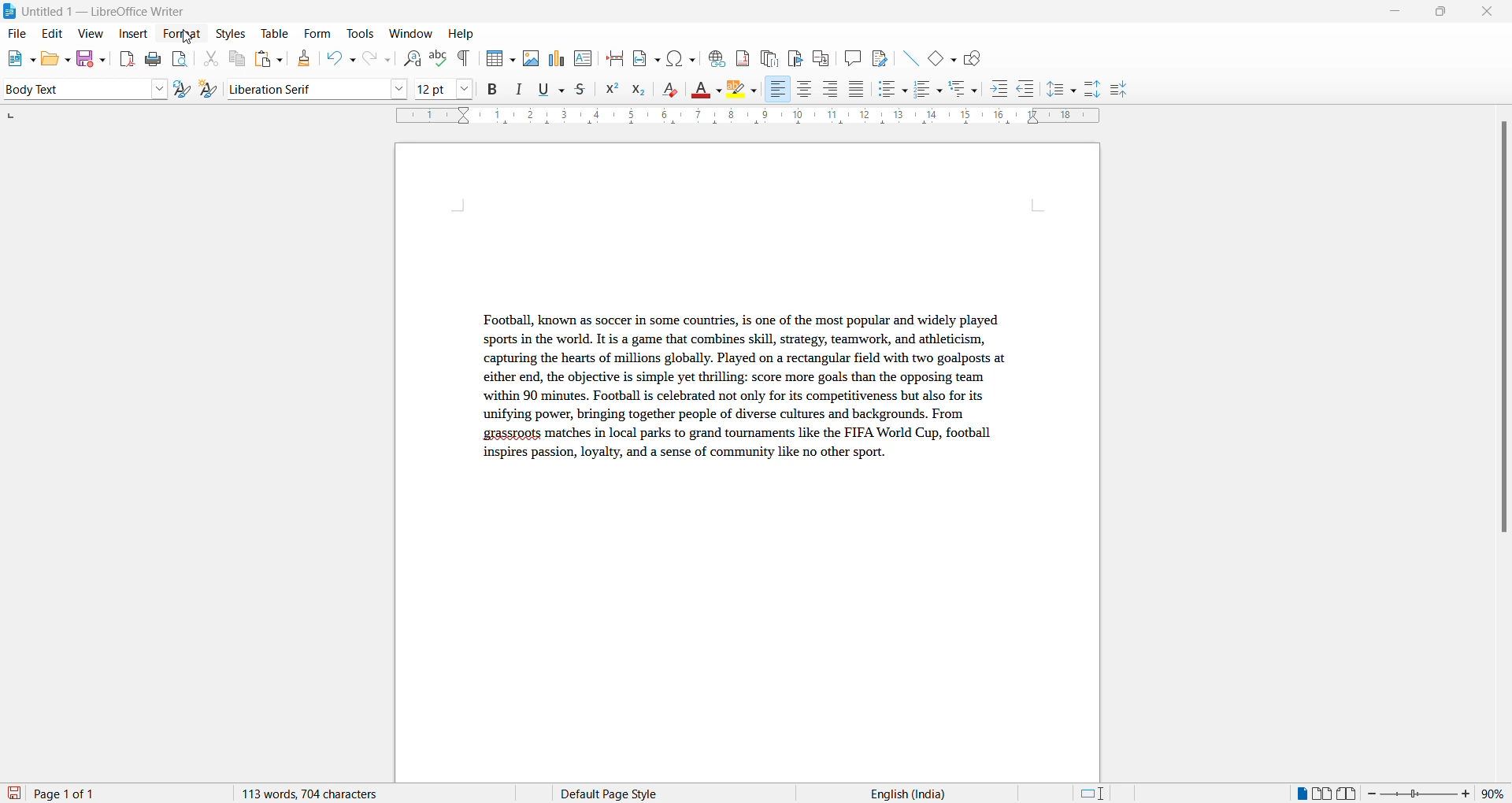  I want to click on style, so click(72, 88).